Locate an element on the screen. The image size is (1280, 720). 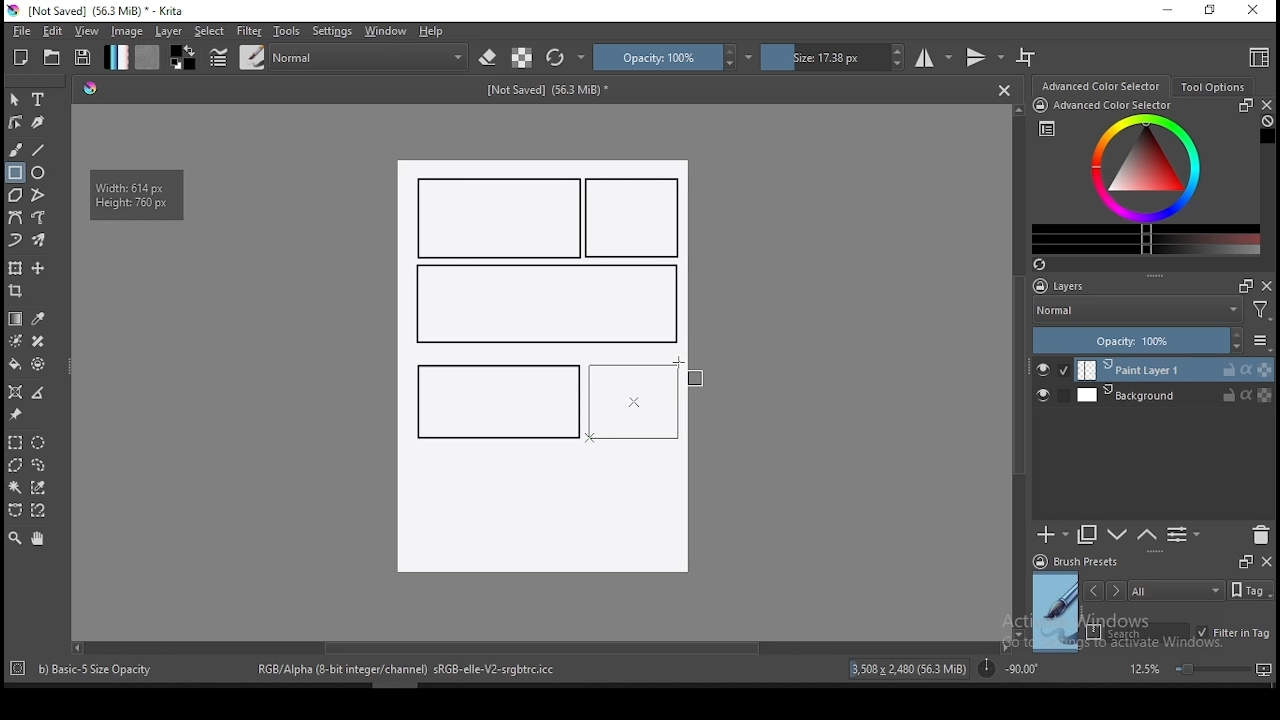
rotation is located at coordinates (1008, 667).